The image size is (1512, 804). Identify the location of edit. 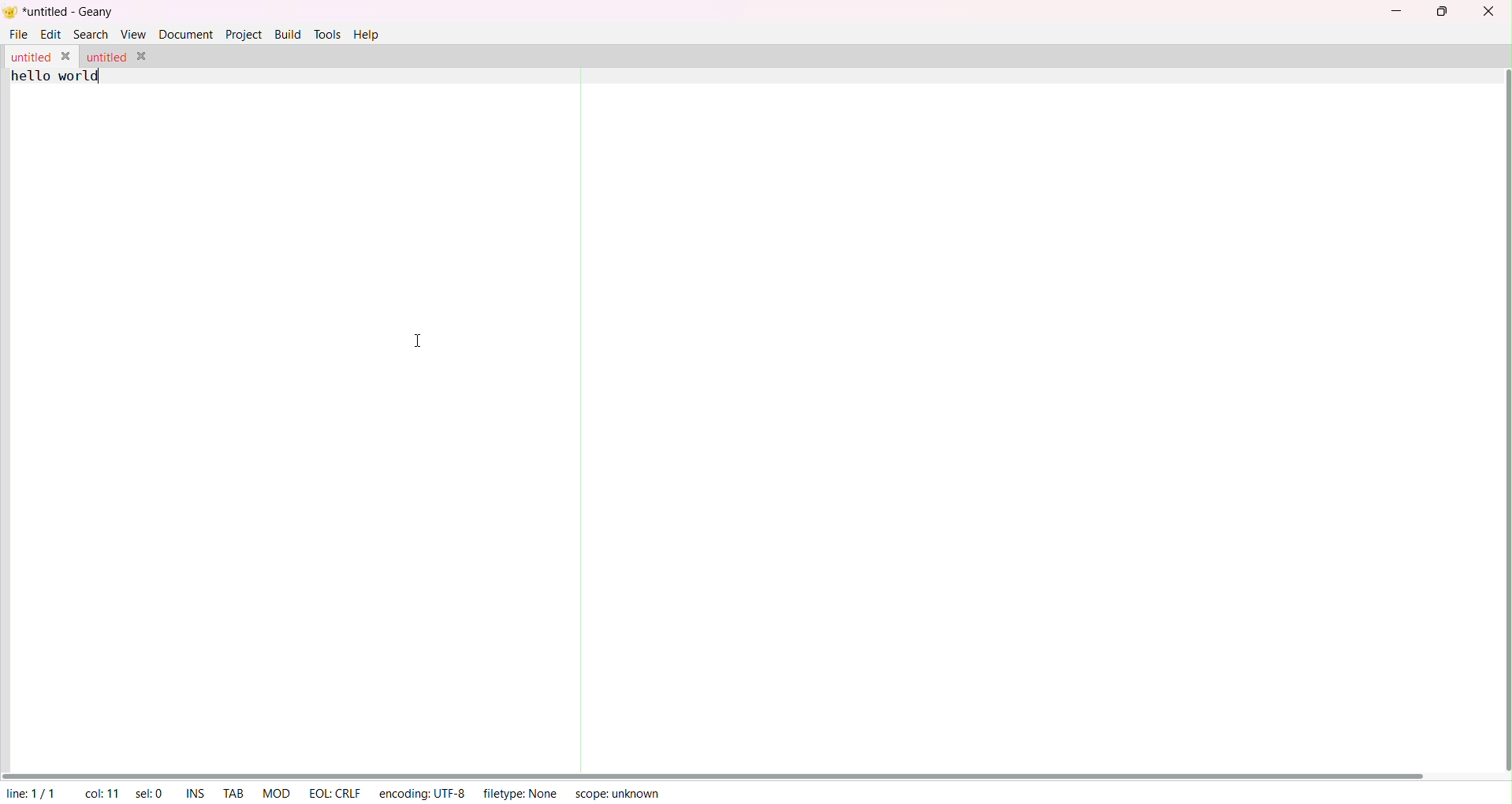
(52, 35).